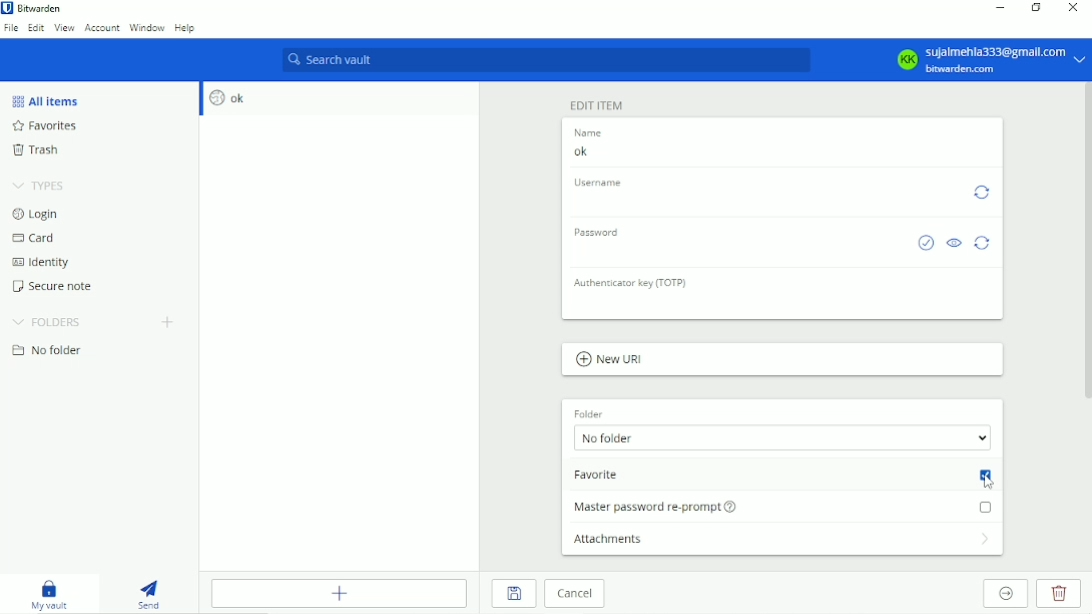  What do you see at coordinates (986, 58) in the screenshot?
I see `Account` at bounding box center [986, 58].